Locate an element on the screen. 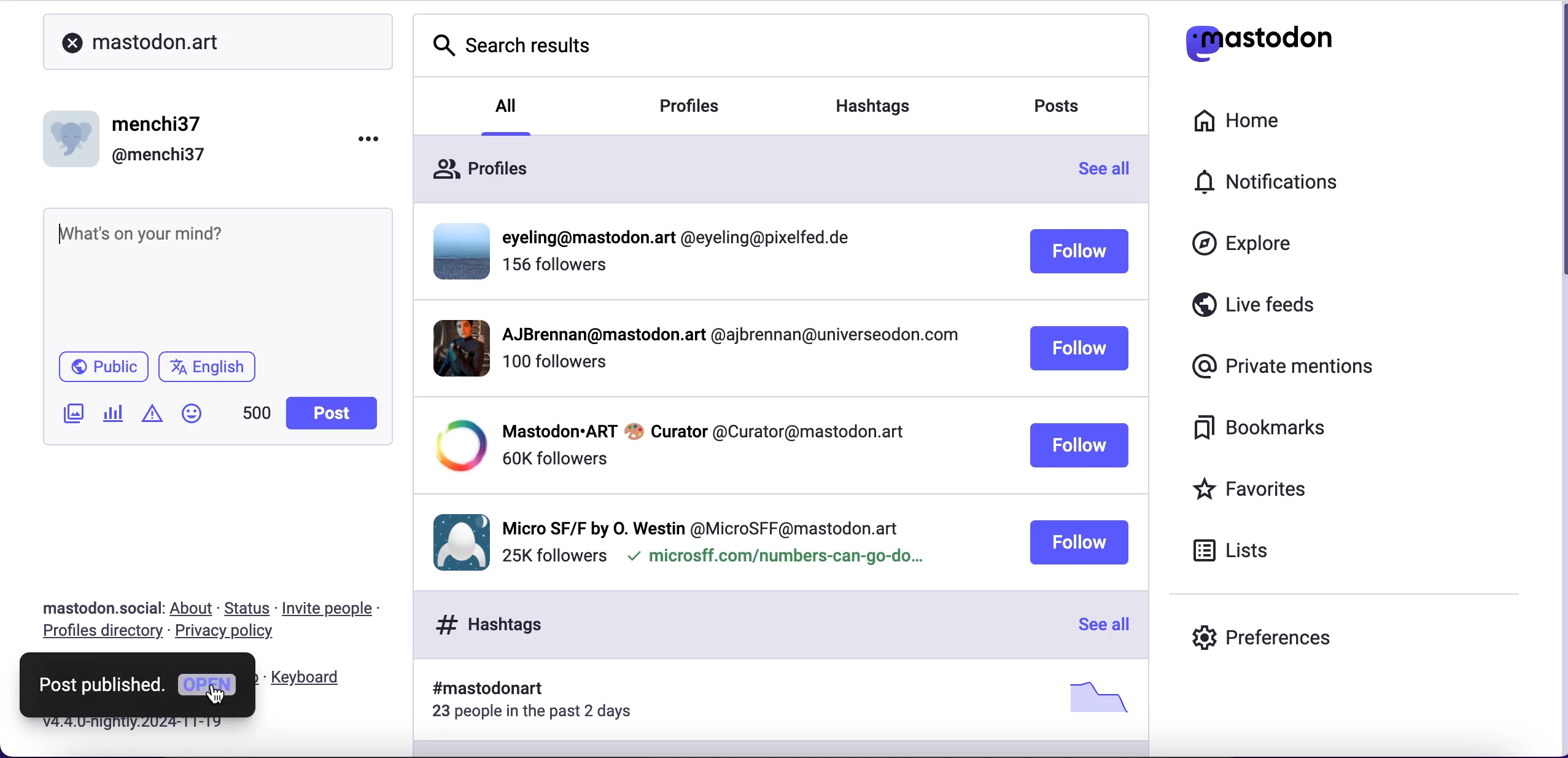 Image resolution: width=1568 pixels, height=758 pixels. live feeds is located at coordinates (1254, 310).